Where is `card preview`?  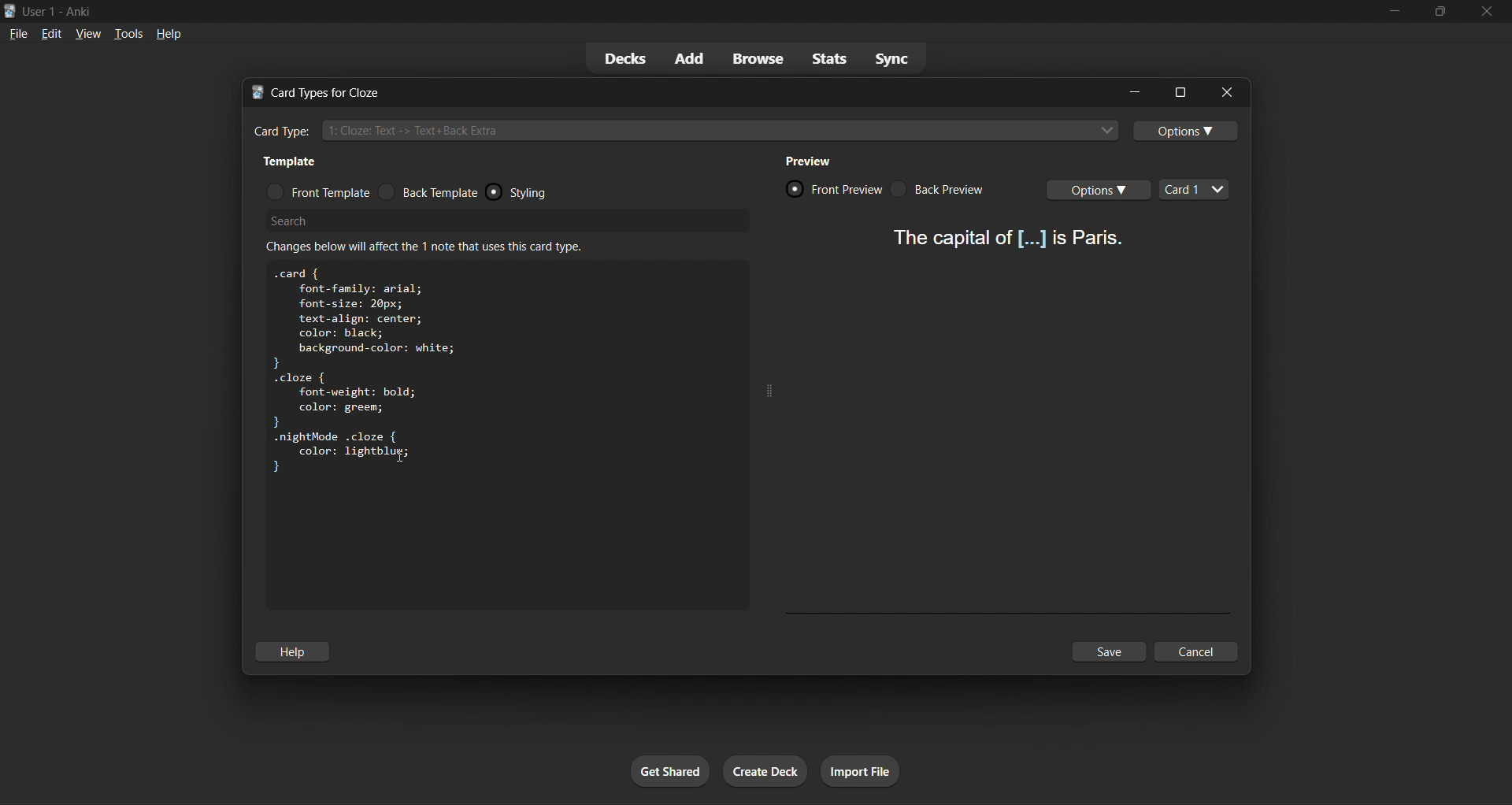
card preview is located at coordinates (1006, 246).